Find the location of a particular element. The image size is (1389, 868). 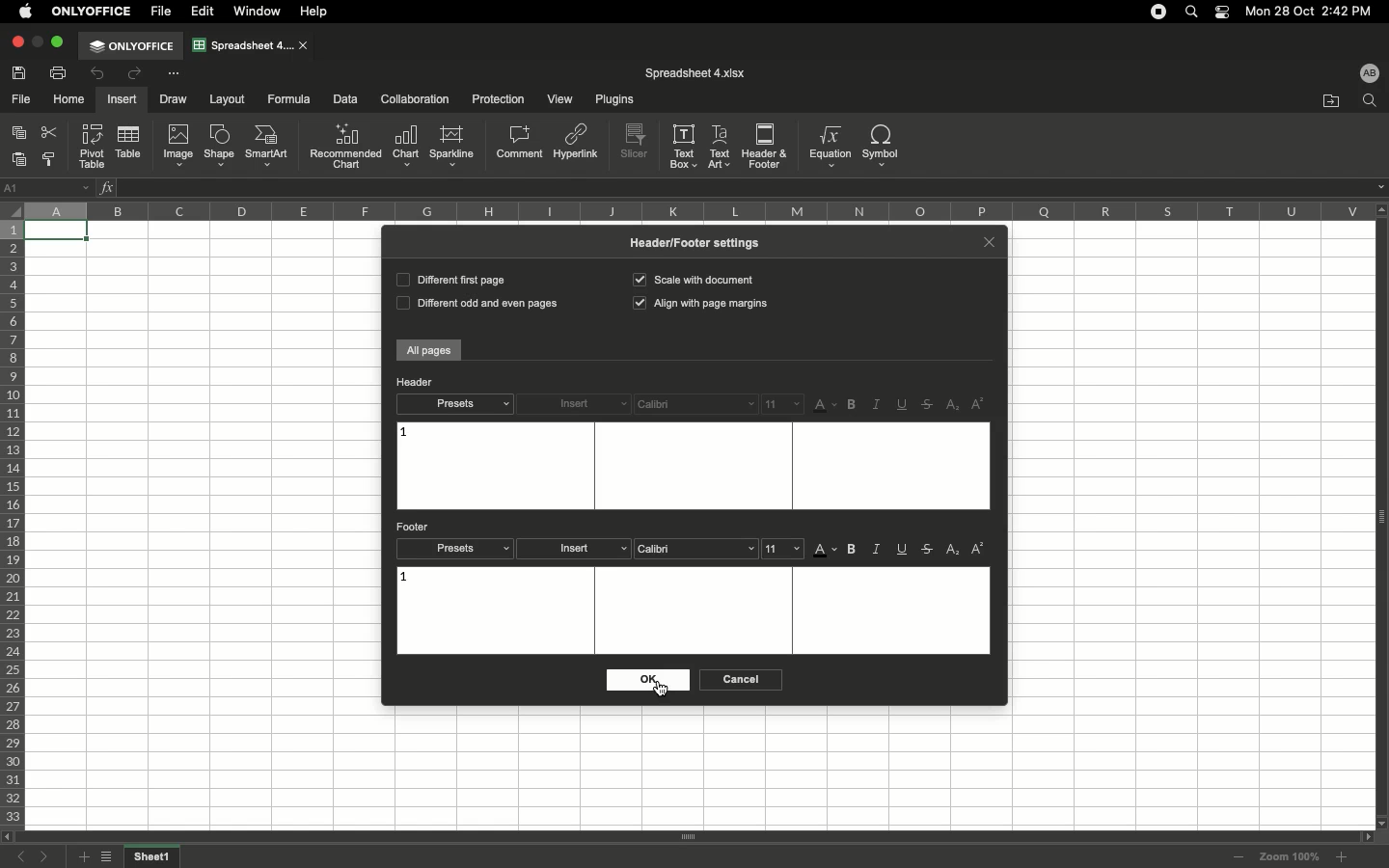

Open file location is located at coordinates (1331, 101).